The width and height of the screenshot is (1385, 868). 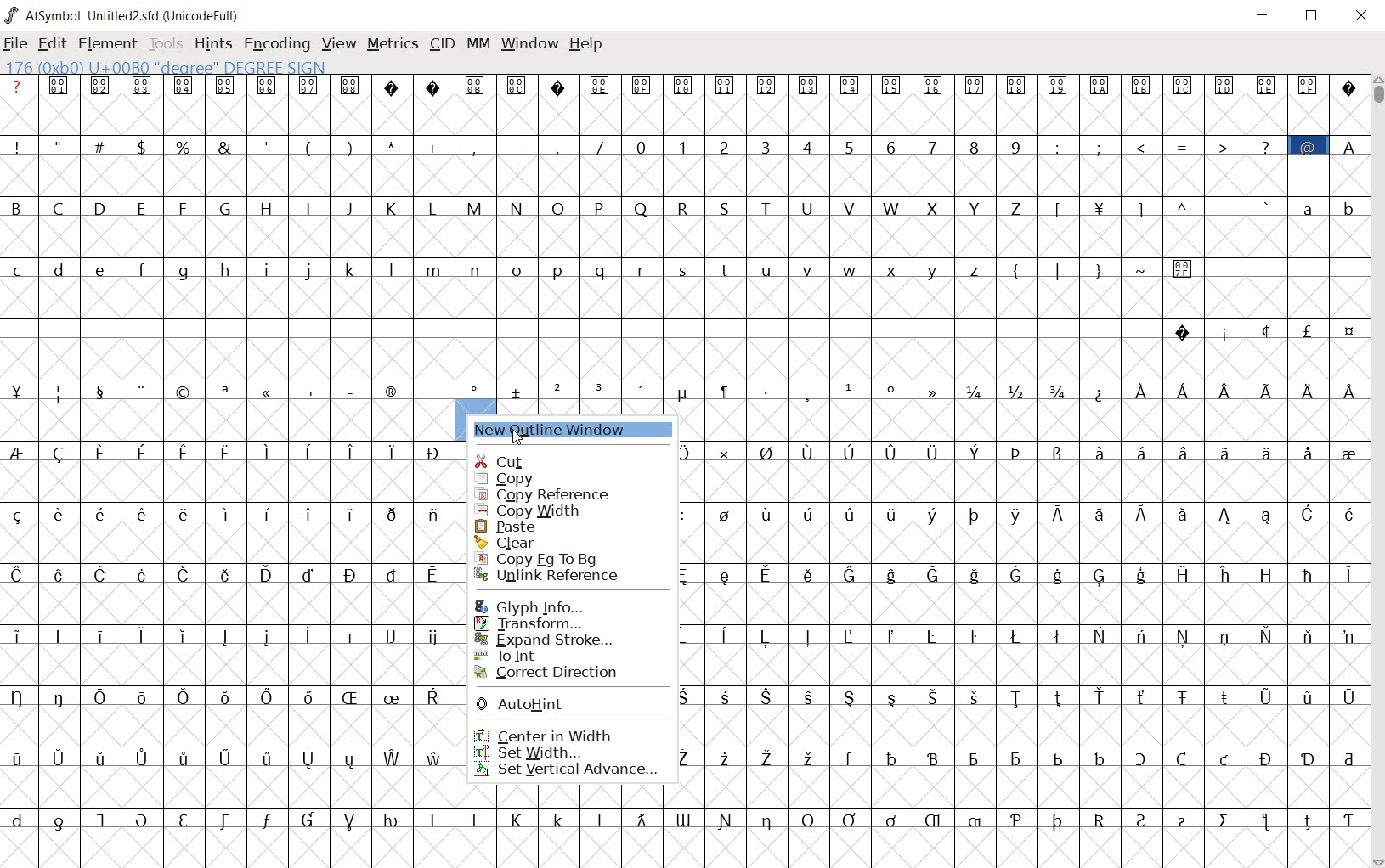 I want to click on AtSymbol Untitled2.sfd (UnicodeFull), so click(x=126, y=15).